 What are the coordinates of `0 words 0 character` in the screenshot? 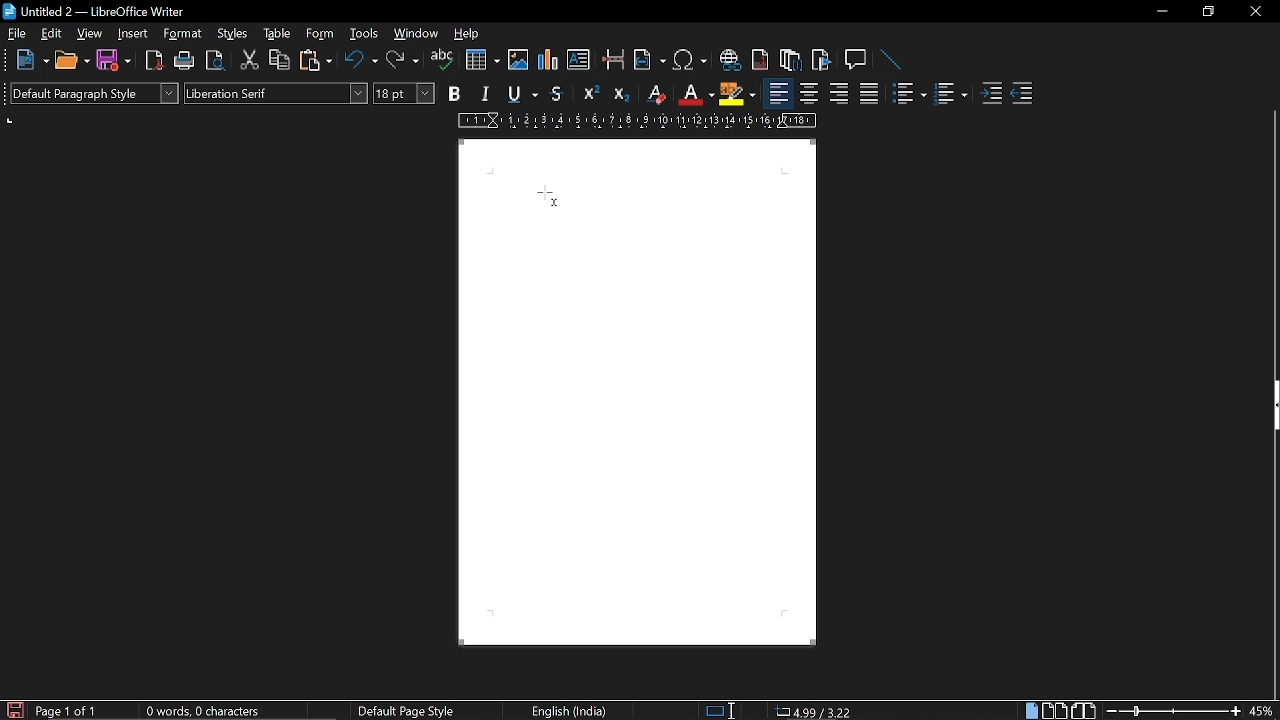 It's located at (200, 711).